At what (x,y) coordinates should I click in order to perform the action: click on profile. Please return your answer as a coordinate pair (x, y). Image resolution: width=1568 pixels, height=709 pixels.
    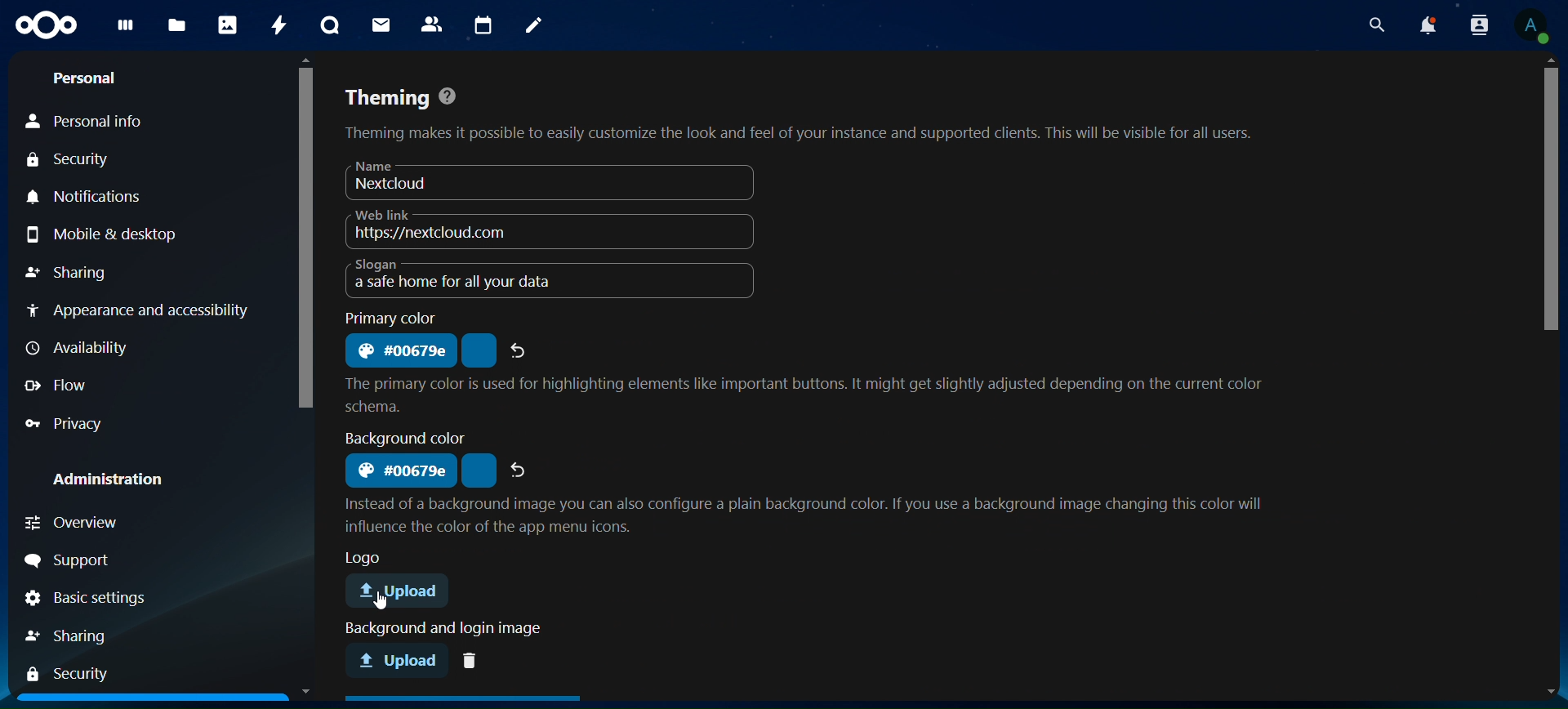
    Looking at the image, I should click on (1534, 25).